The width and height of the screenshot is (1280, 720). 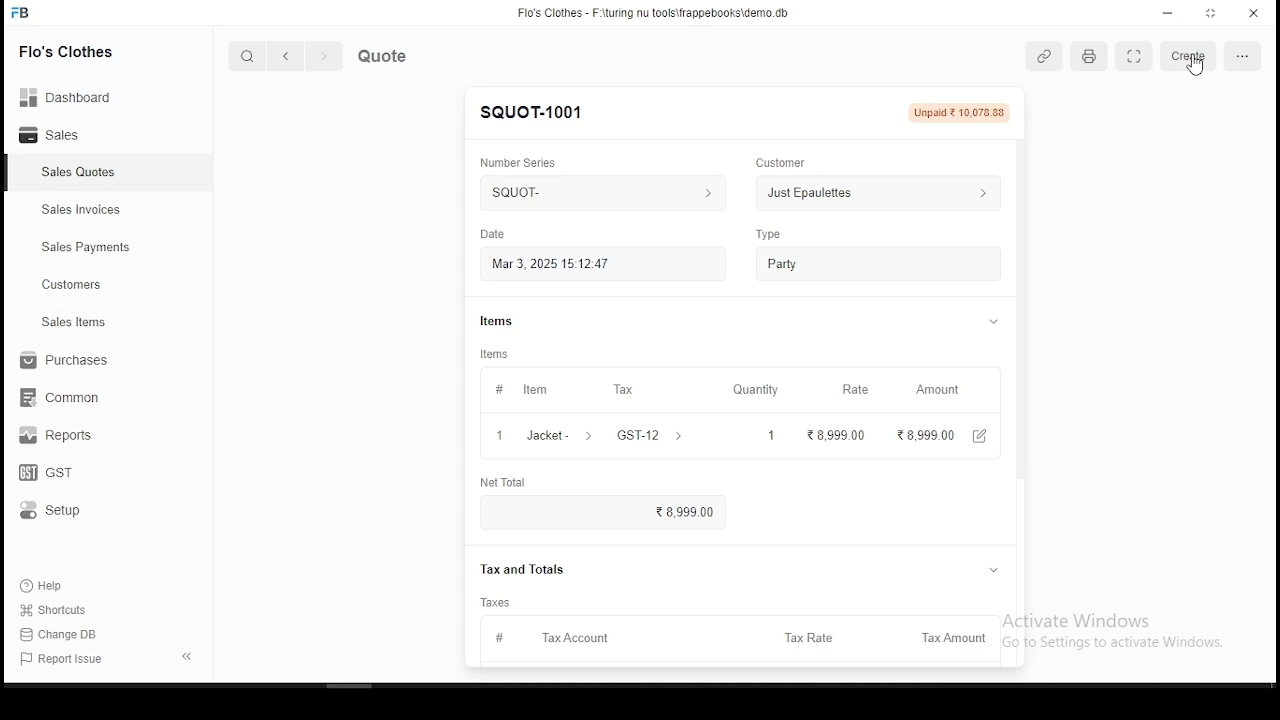 What do you see at coordinates (64, 362) in the screenshot?
I see `purchases` at bounding box center [64, 362].